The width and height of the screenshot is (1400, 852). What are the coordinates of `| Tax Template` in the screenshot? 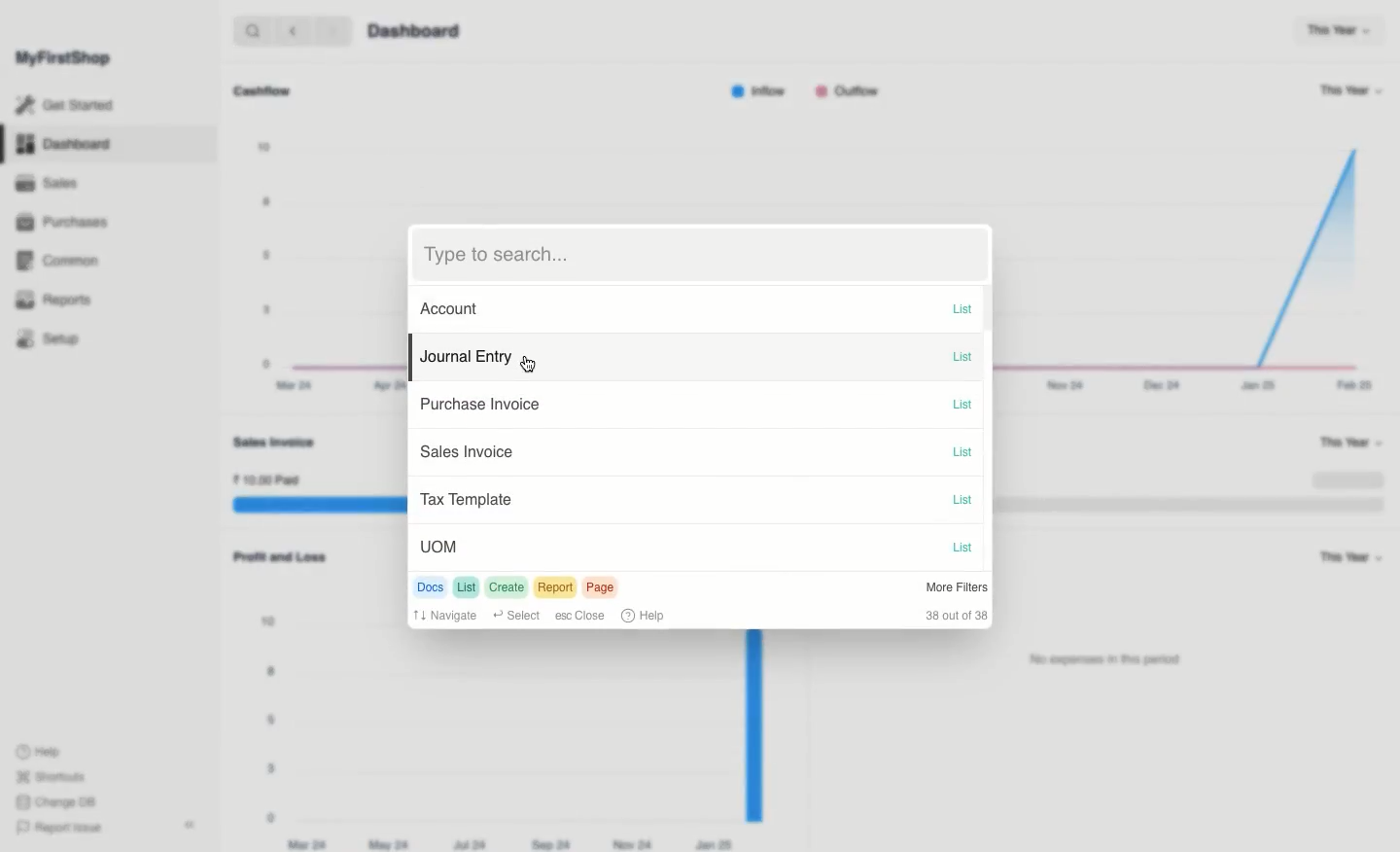 It's located at (466, 501).